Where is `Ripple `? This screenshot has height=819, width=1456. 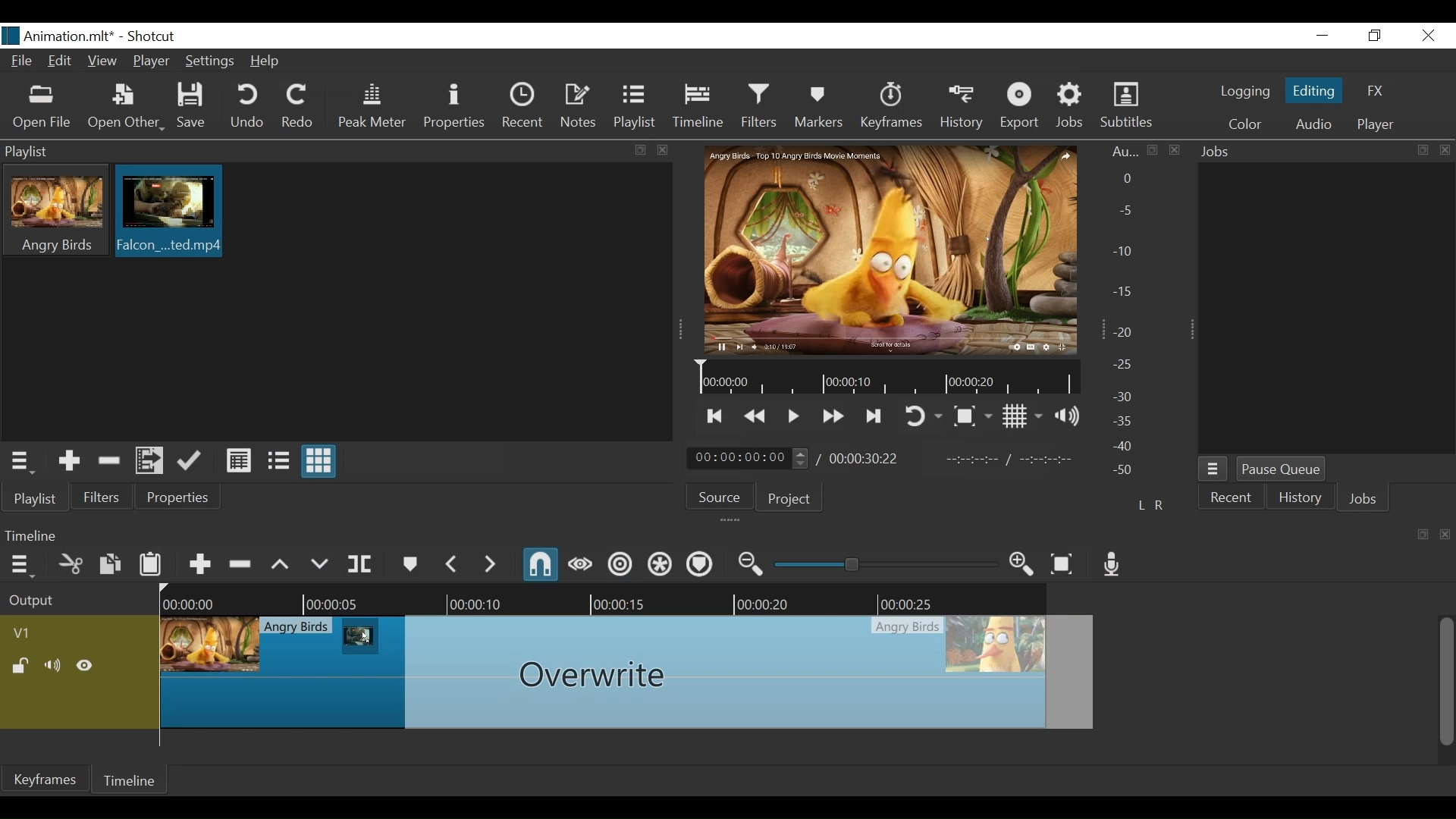 Ripple  is located at coordinates (621, 565).